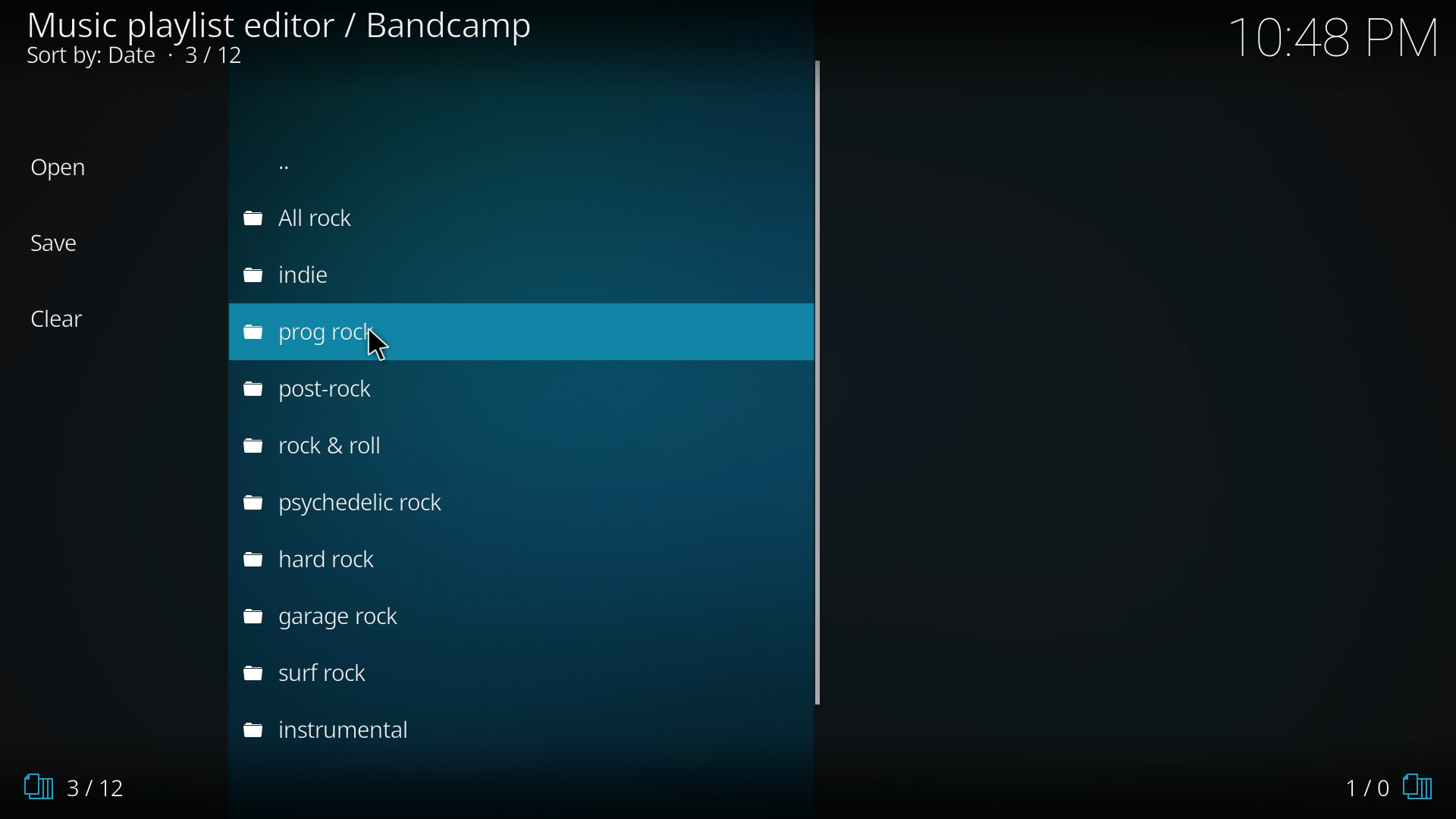 This screenshot has height=819, width=1456. What do you see at coordinates (71, 169) in the screenshot?
I see `Open` at bounding box center [71, 169].